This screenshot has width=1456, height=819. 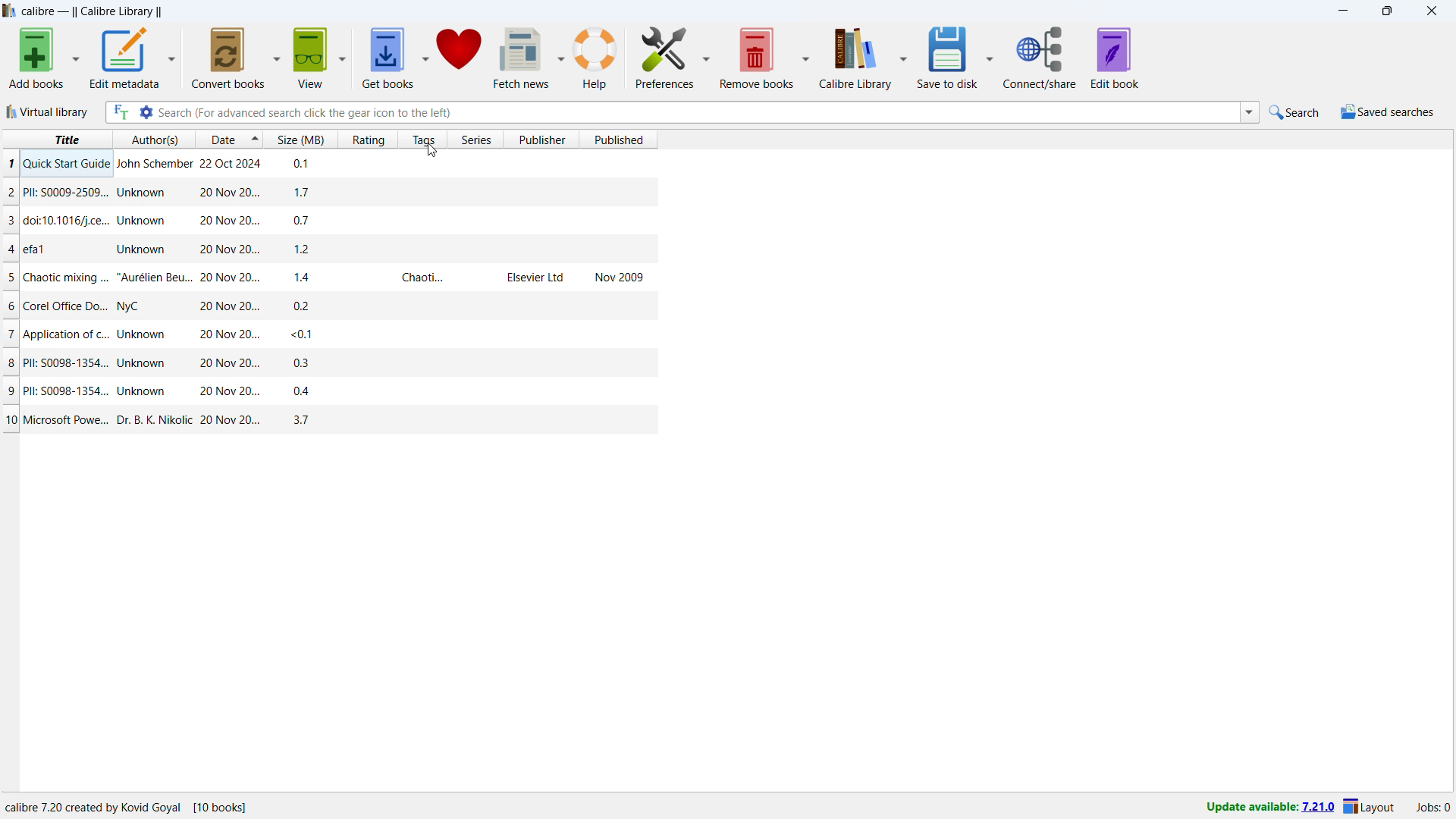 What do you see at coordinates (229, 58) in the screenshot?
I see `convert books` at bounding box center [229, 58].